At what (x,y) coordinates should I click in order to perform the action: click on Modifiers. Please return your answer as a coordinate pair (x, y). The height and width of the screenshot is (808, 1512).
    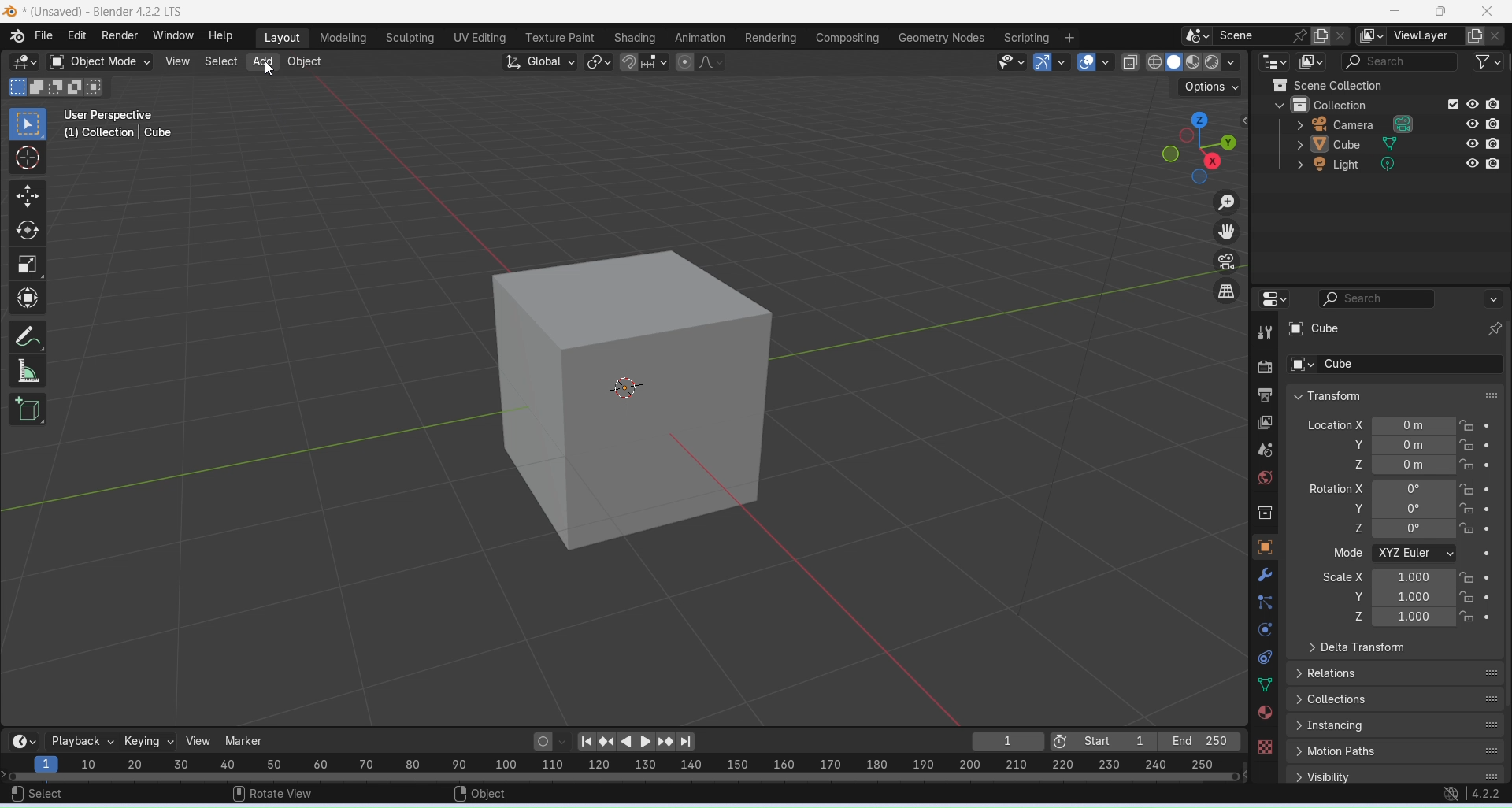
    Looking at the image, I should click on (1268, 574).